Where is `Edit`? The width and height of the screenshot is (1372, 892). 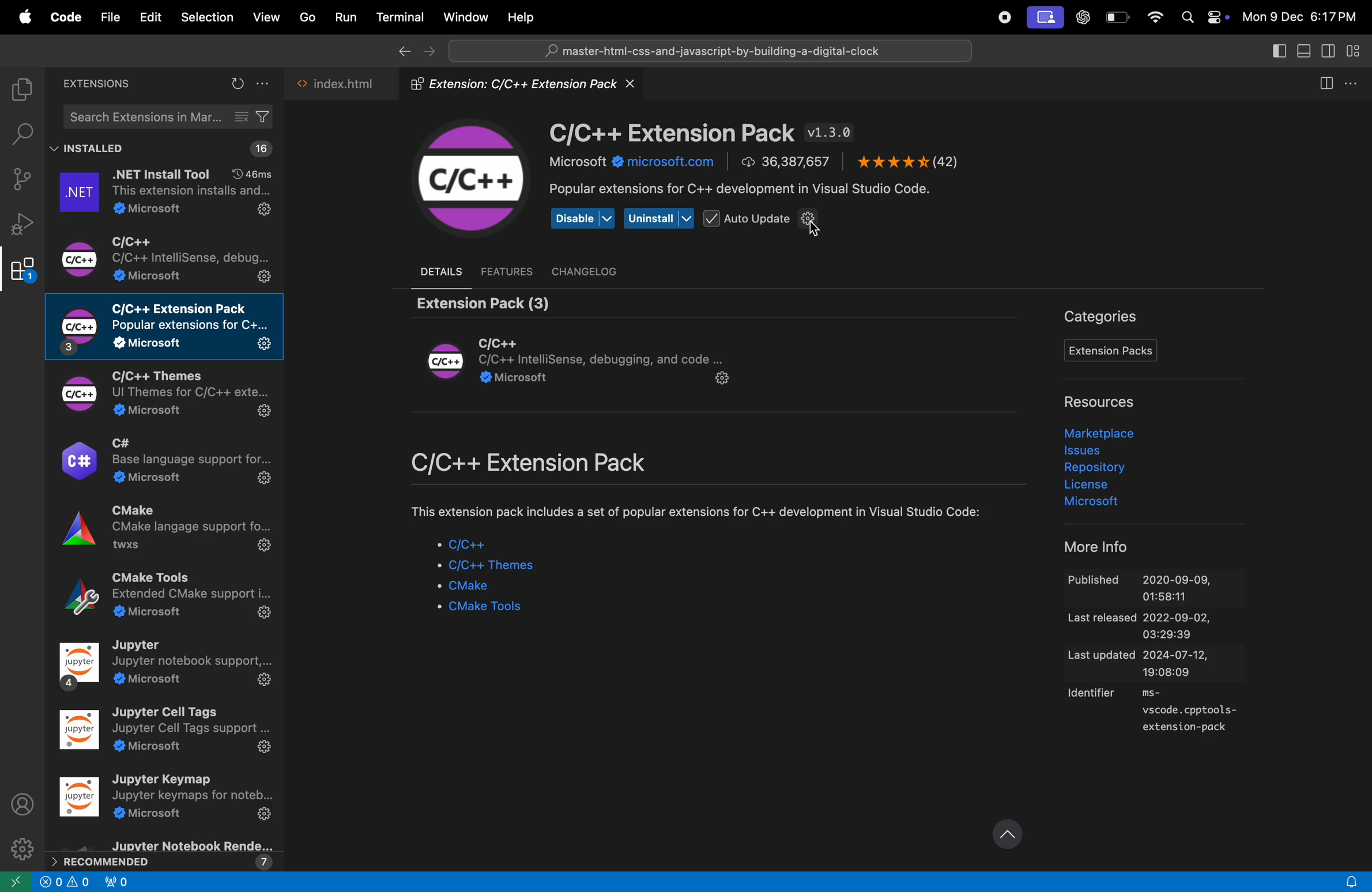 Edit is located at coordinates (147, 17).